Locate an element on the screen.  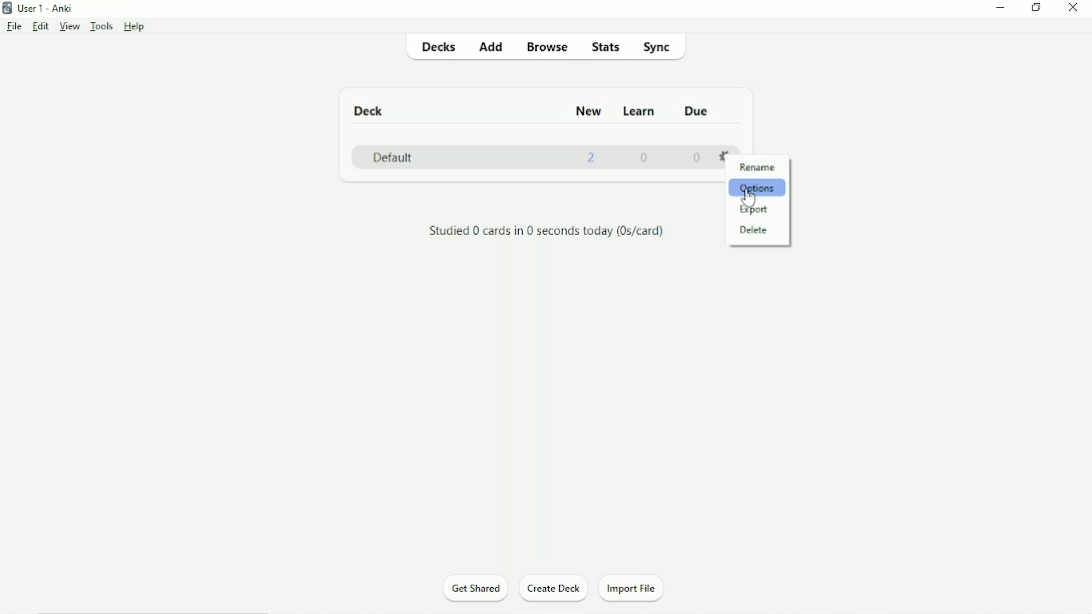
File is located at coordinates (14, 26).